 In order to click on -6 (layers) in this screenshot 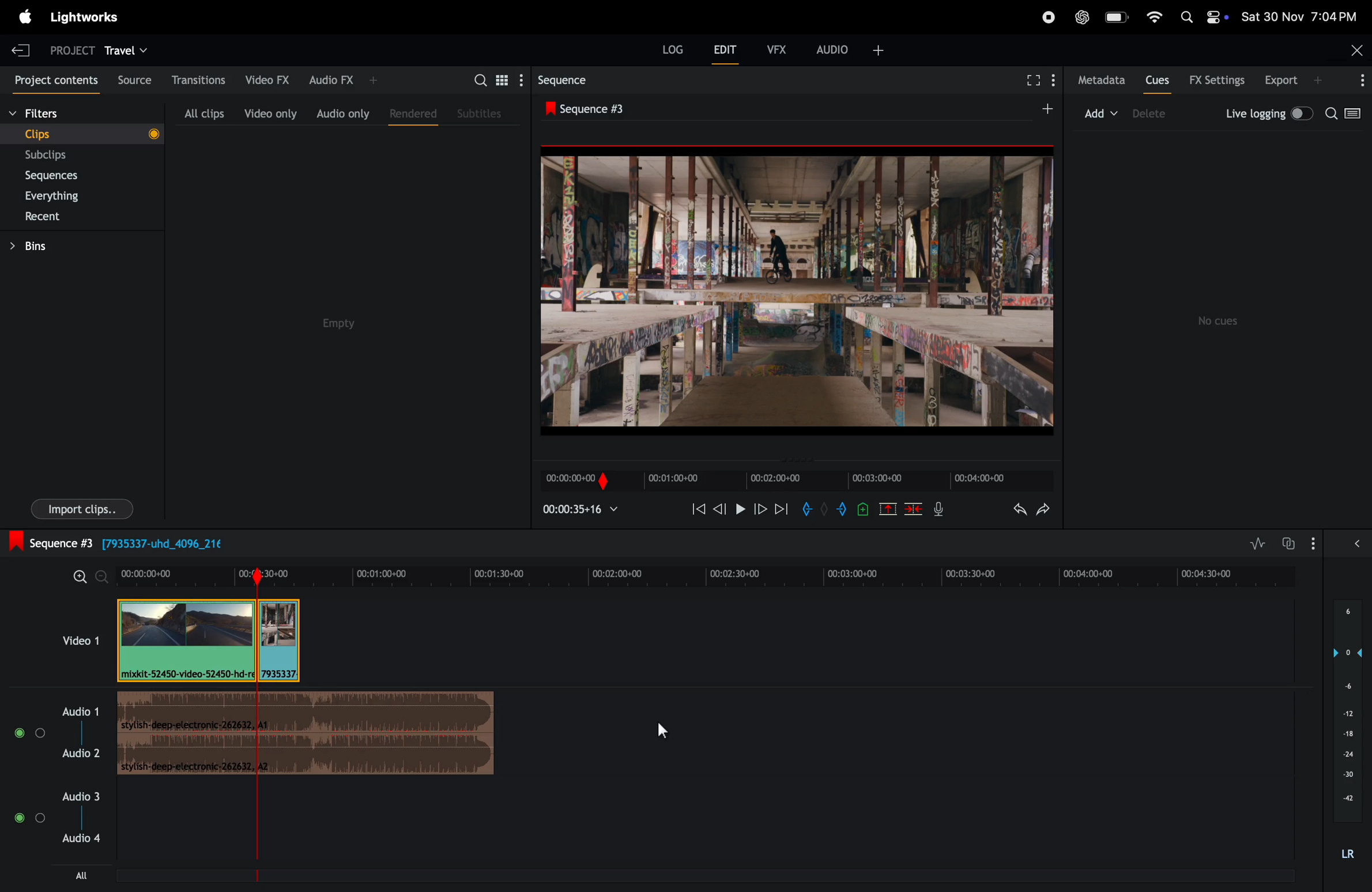, I will do `click(1344, 689)`.